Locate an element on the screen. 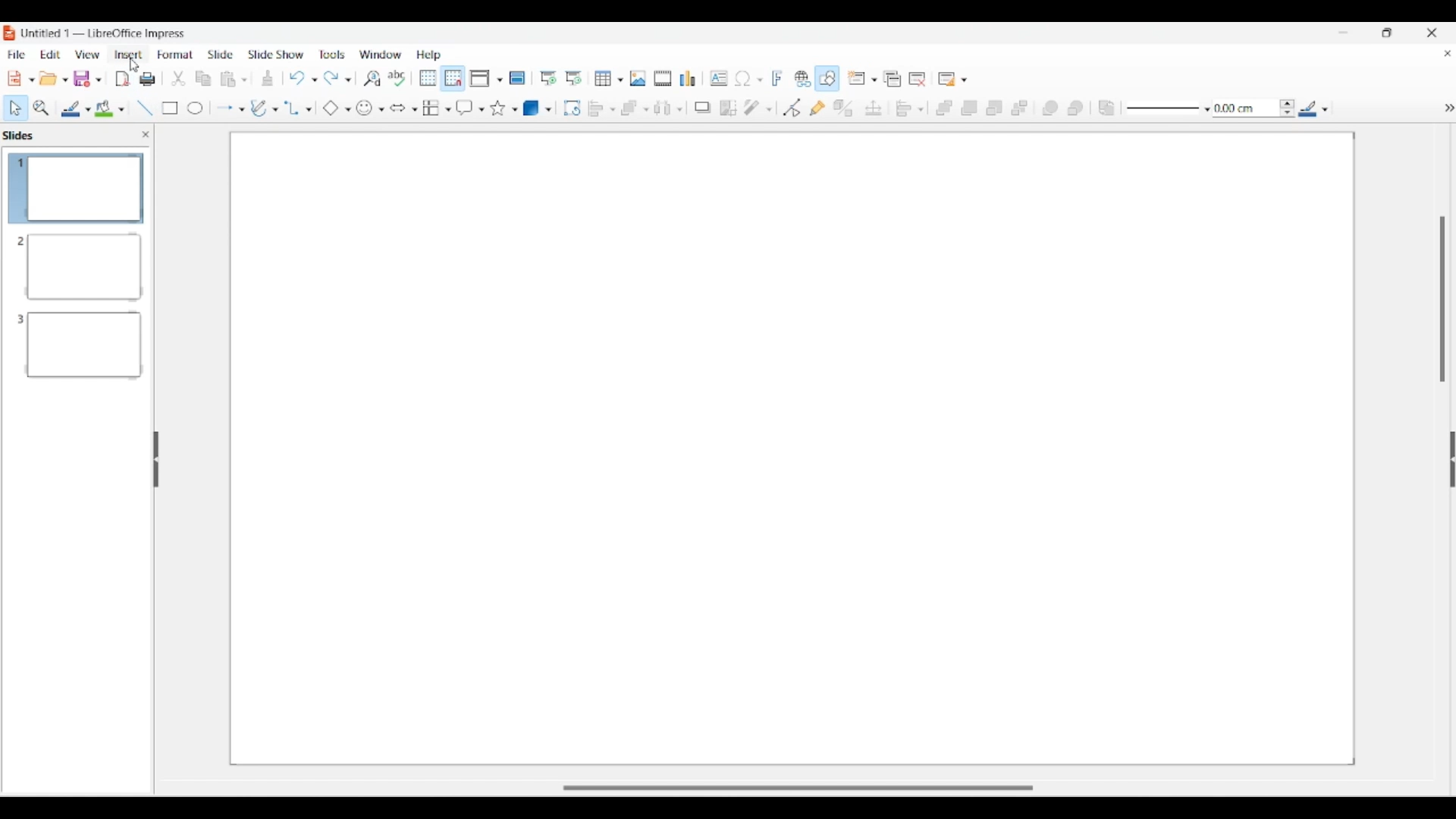  Open document options is located at coordinates (53, 78).